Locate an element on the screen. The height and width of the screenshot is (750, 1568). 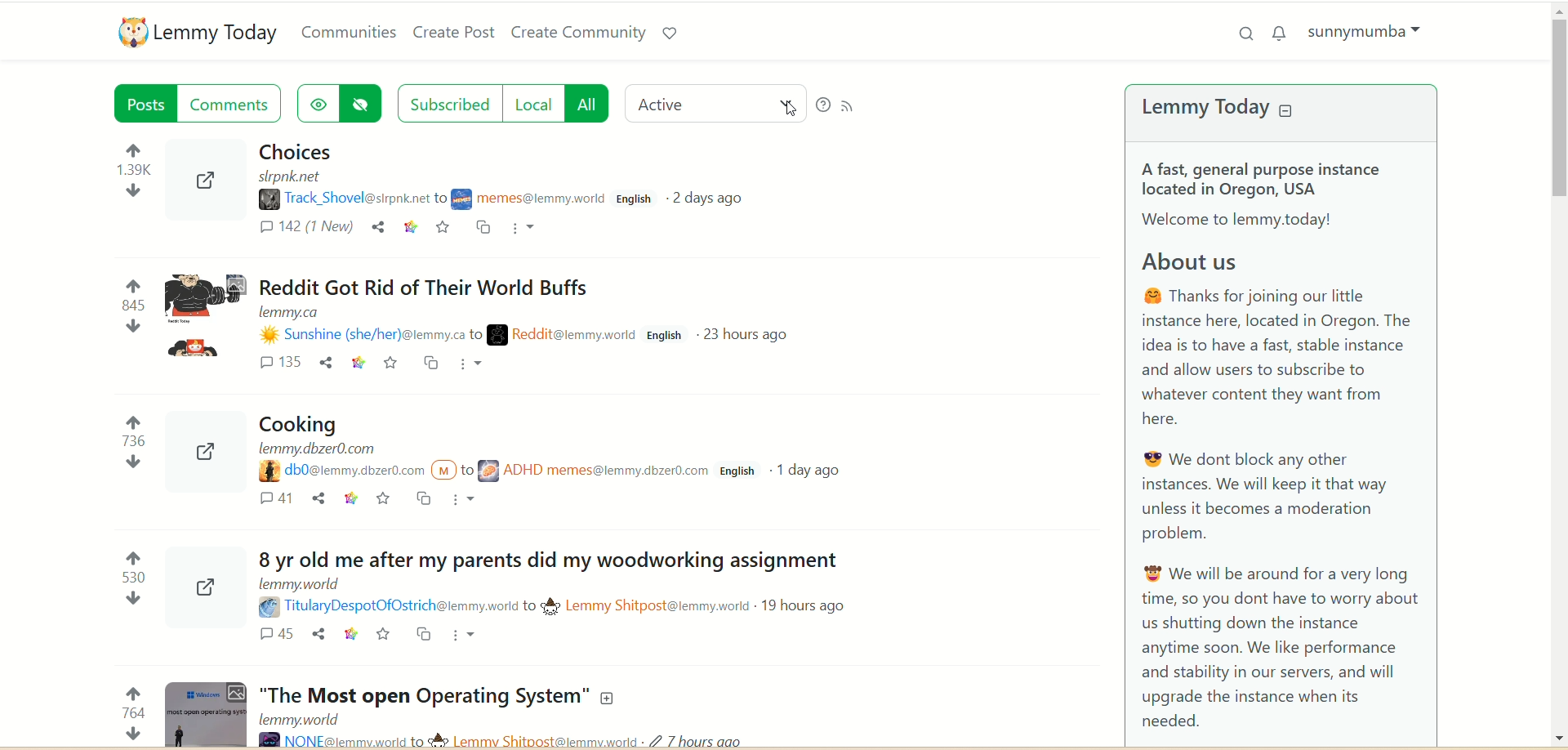
1 day ago is located at coordinates (808, 472).